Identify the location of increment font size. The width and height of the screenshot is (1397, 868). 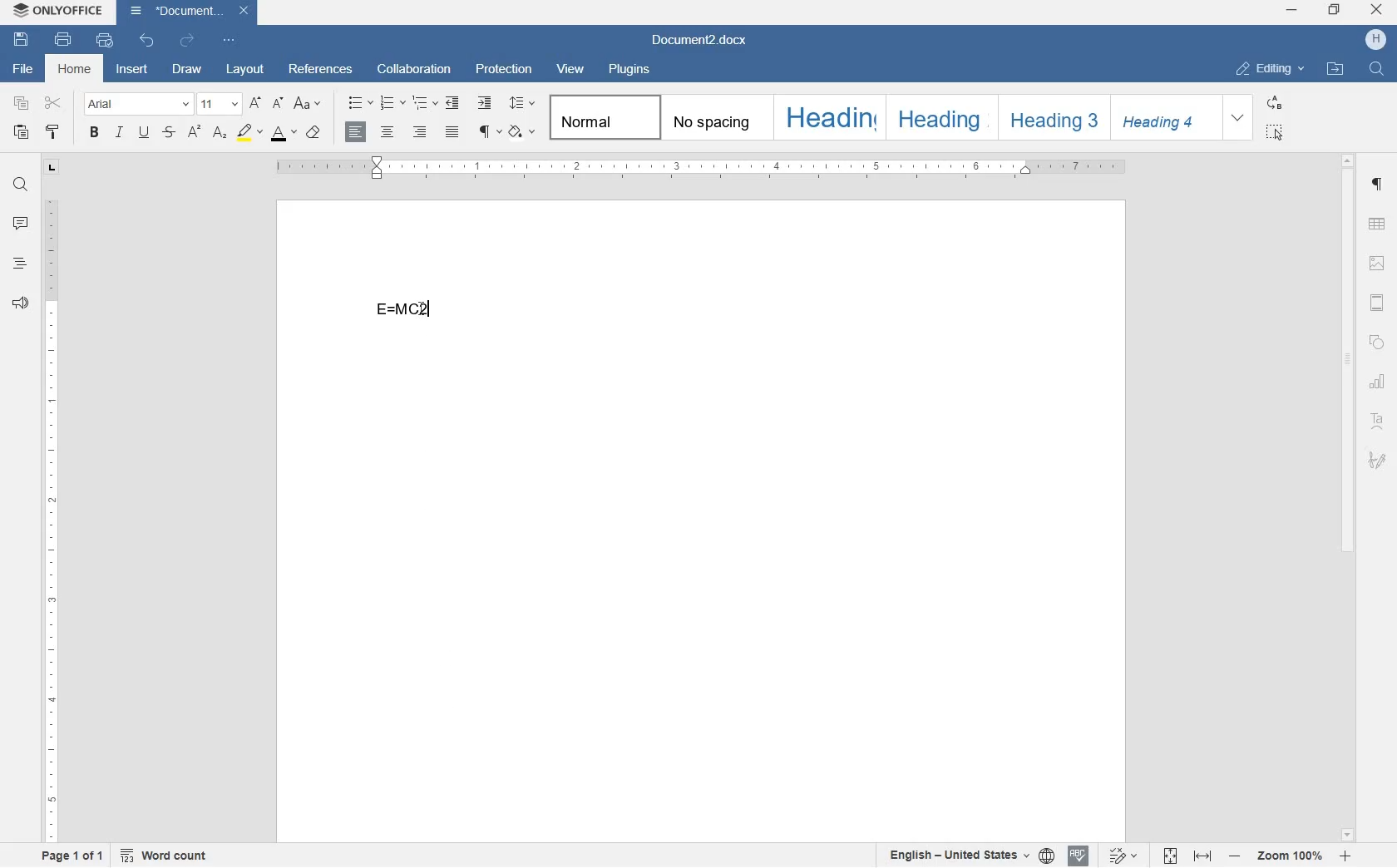
(254, 104).